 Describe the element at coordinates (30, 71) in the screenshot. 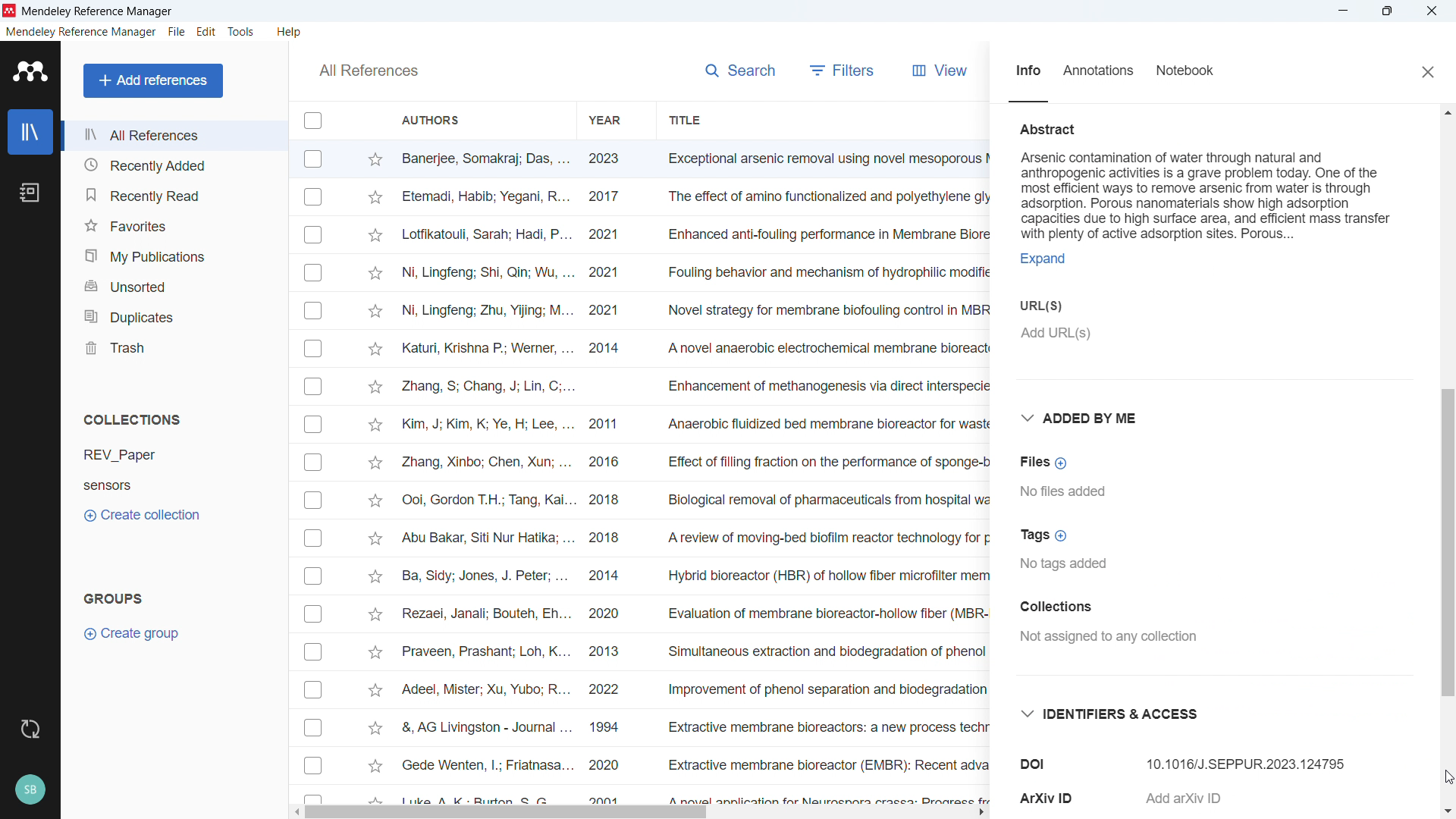

I see `logo` at that location.